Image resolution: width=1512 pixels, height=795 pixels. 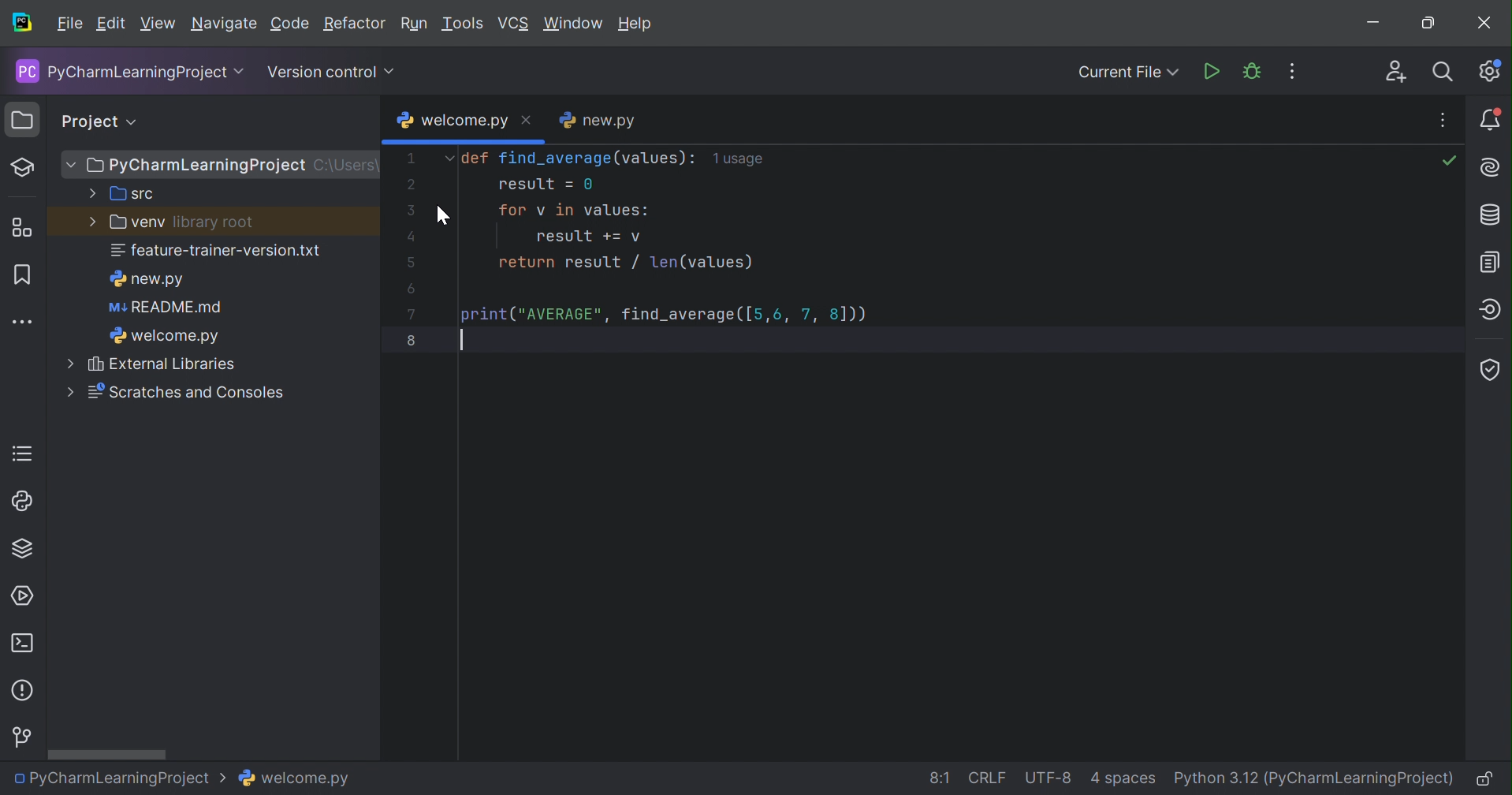 I want to click on Help, so click(x=637, y=24).